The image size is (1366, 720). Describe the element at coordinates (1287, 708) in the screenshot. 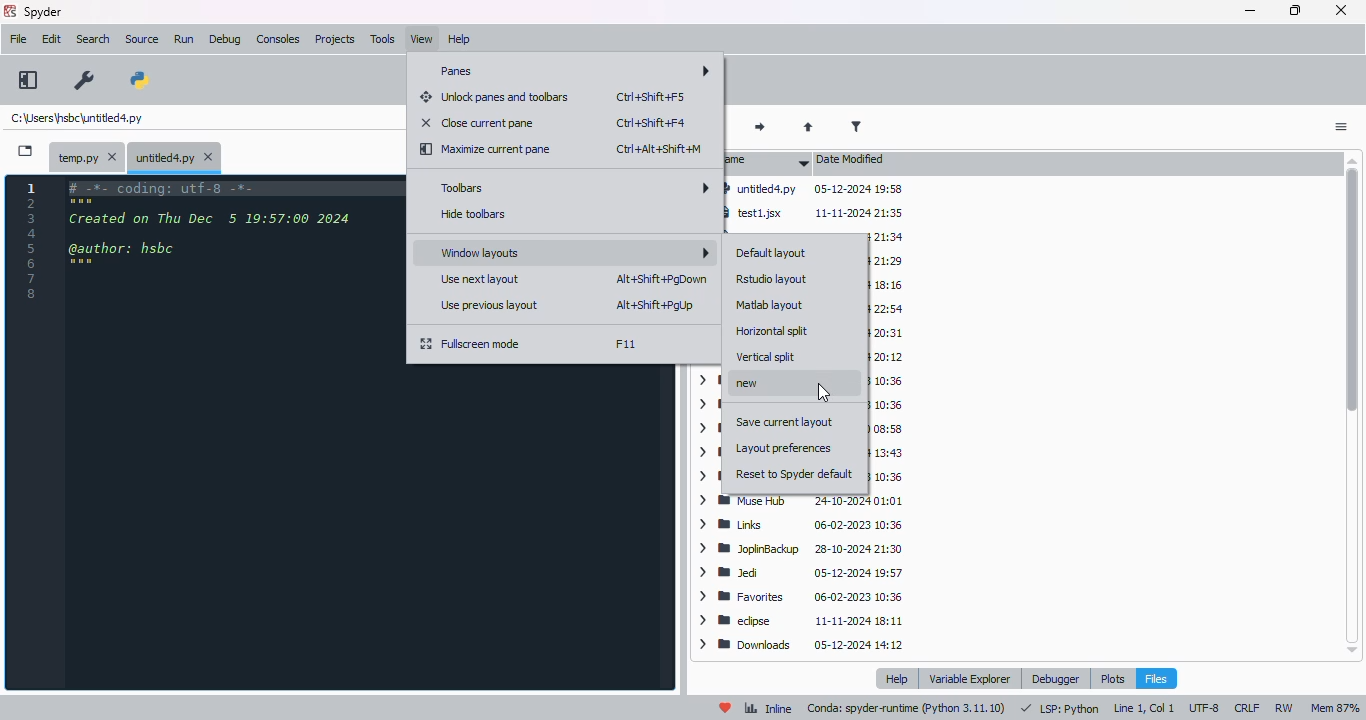

I see `RW` at that location.